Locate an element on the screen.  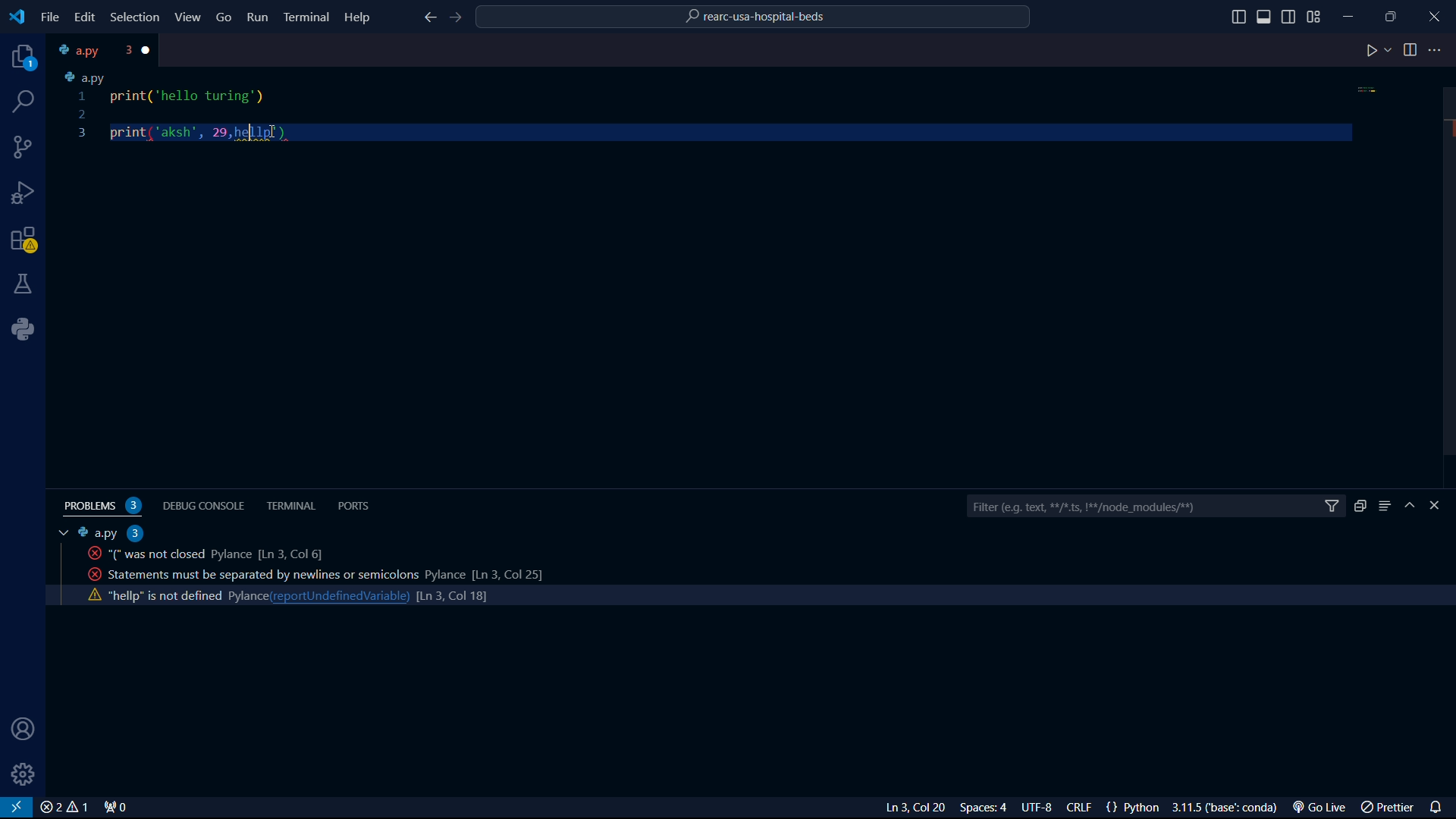
foward is located at coordinates (459, 18).